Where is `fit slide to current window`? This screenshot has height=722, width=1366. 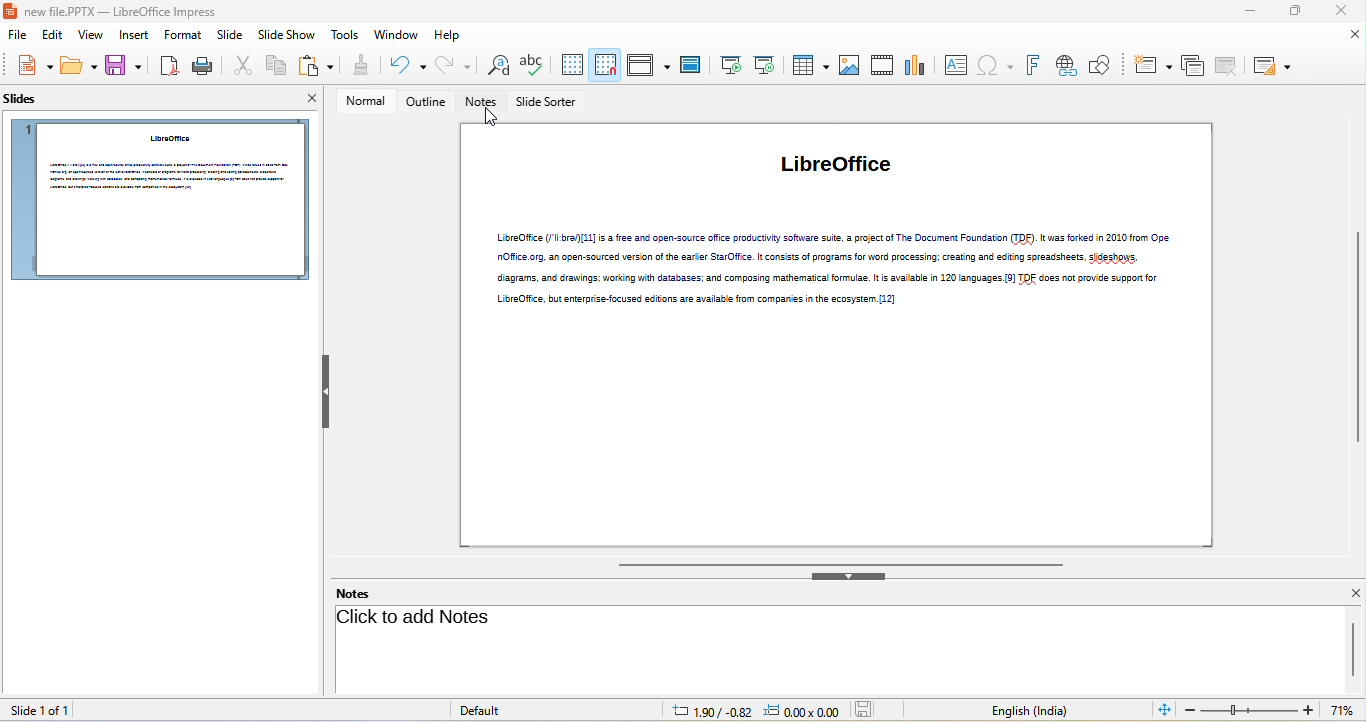
fit slide to current window is located at coordinates (1164, 709).